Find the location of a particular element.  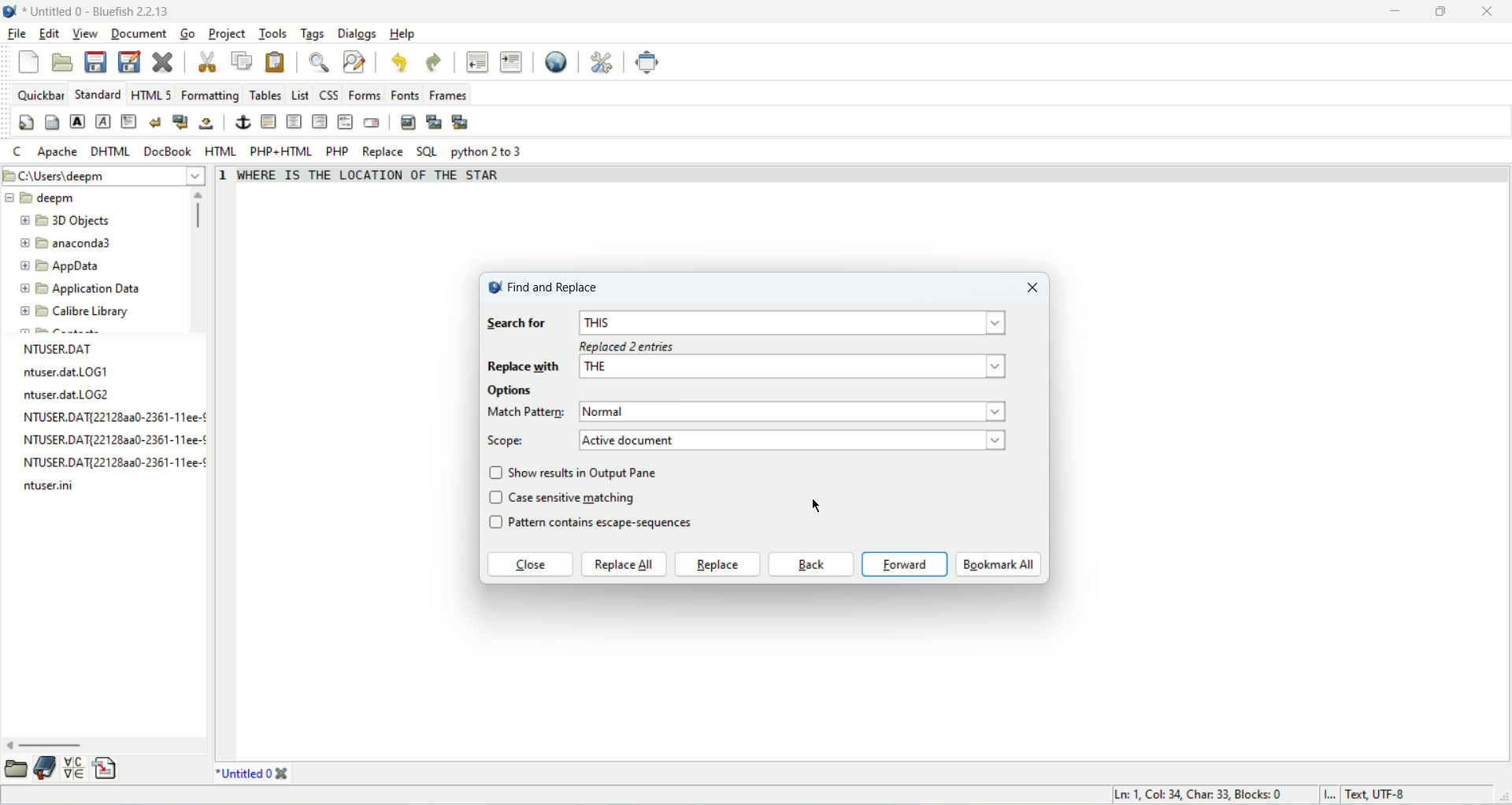

DocBook is located at coordinates (169, 150).